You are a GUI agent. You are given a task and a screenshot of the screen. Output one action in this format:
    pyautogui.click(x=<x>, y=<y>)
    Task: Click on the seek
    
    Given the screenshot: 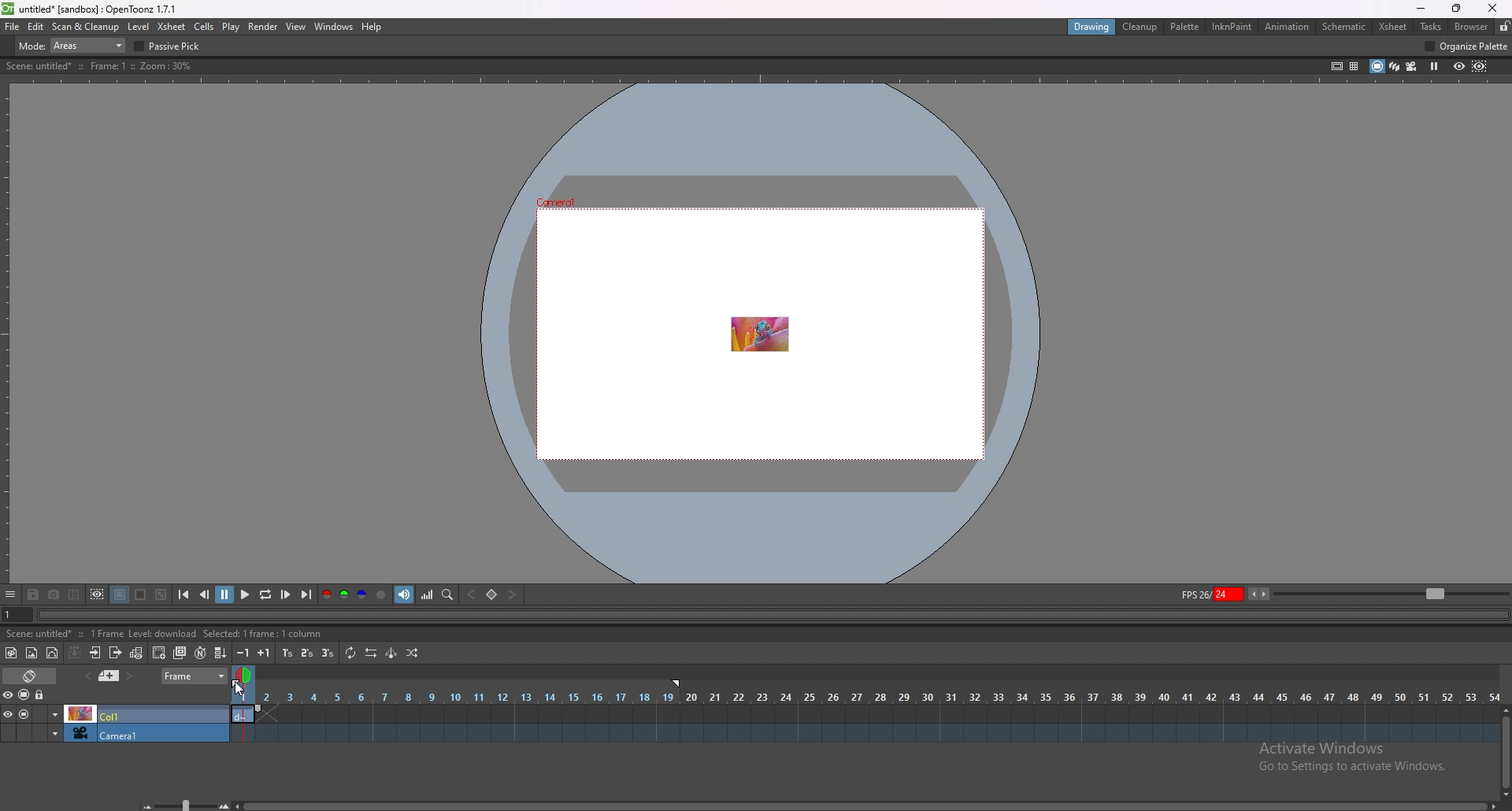 What is the action you would take?
    pyautogui.click(x=770, y=616)
    